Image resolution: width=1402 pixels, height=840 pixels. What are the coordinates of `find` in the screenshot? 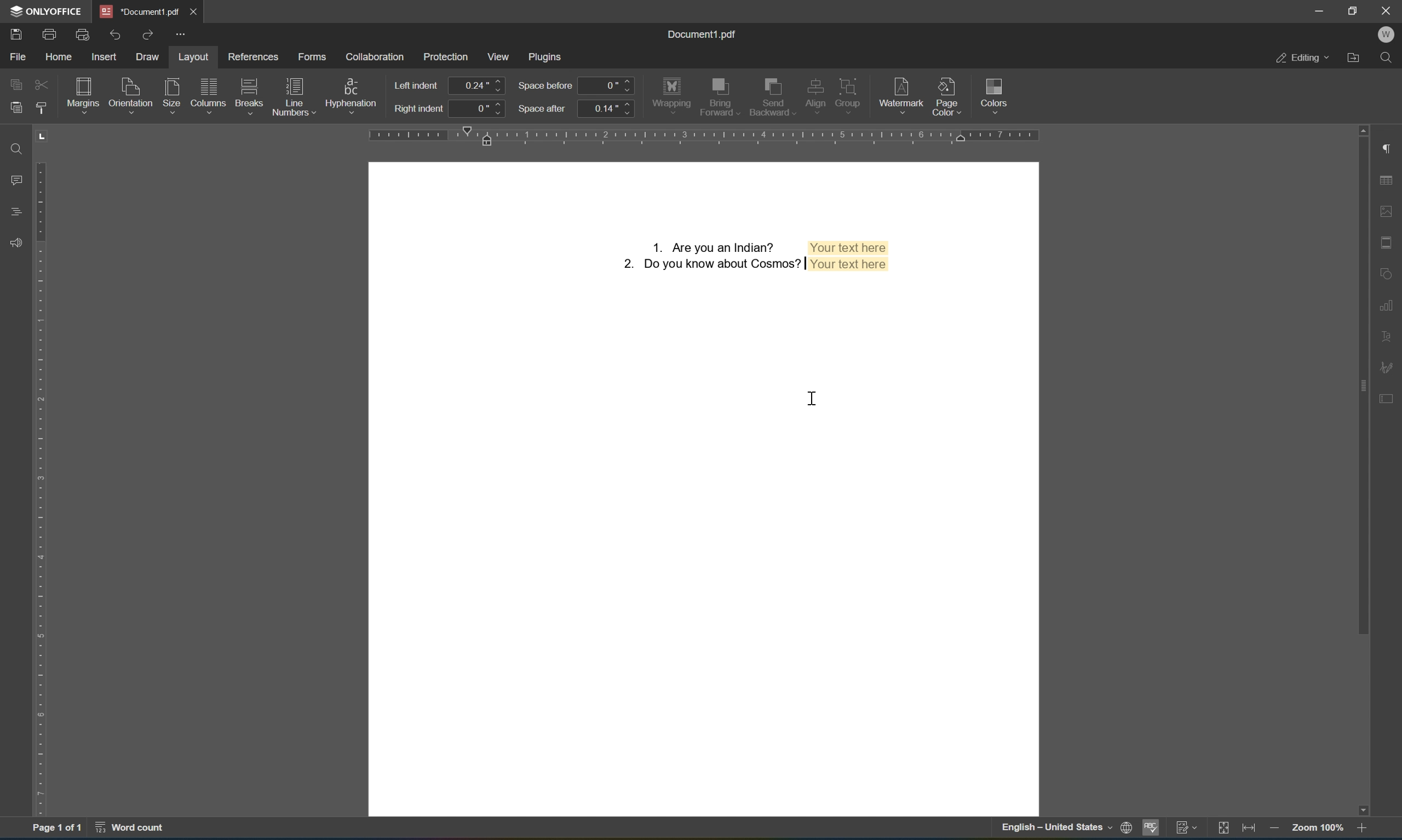 It's located at (1391, 58).